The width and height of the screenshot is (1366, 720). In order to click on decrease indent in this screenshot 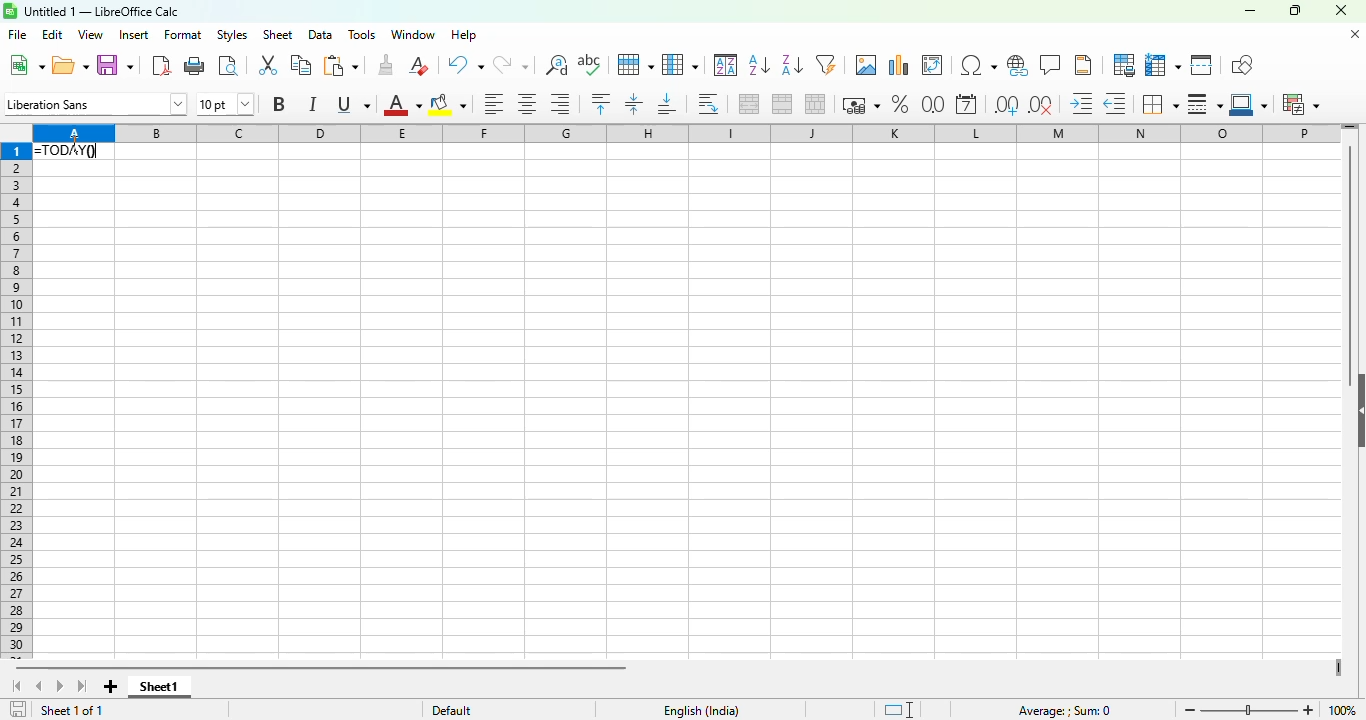, I will do `click(1115, 104)`.